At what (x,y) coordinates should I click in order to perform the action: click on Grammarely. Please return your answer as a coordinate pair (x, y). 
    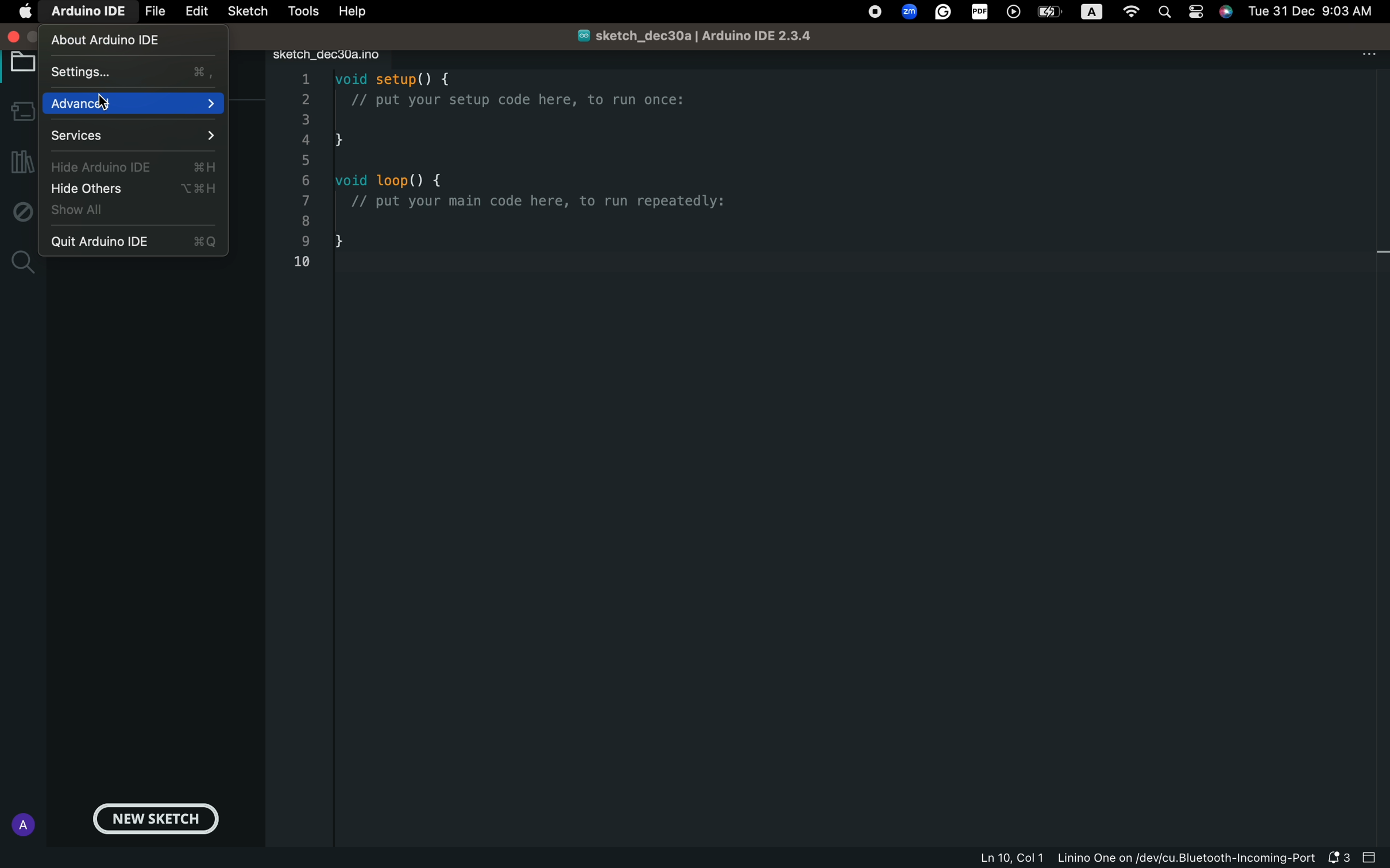
    Looking at the image, I should click on (944, 14).